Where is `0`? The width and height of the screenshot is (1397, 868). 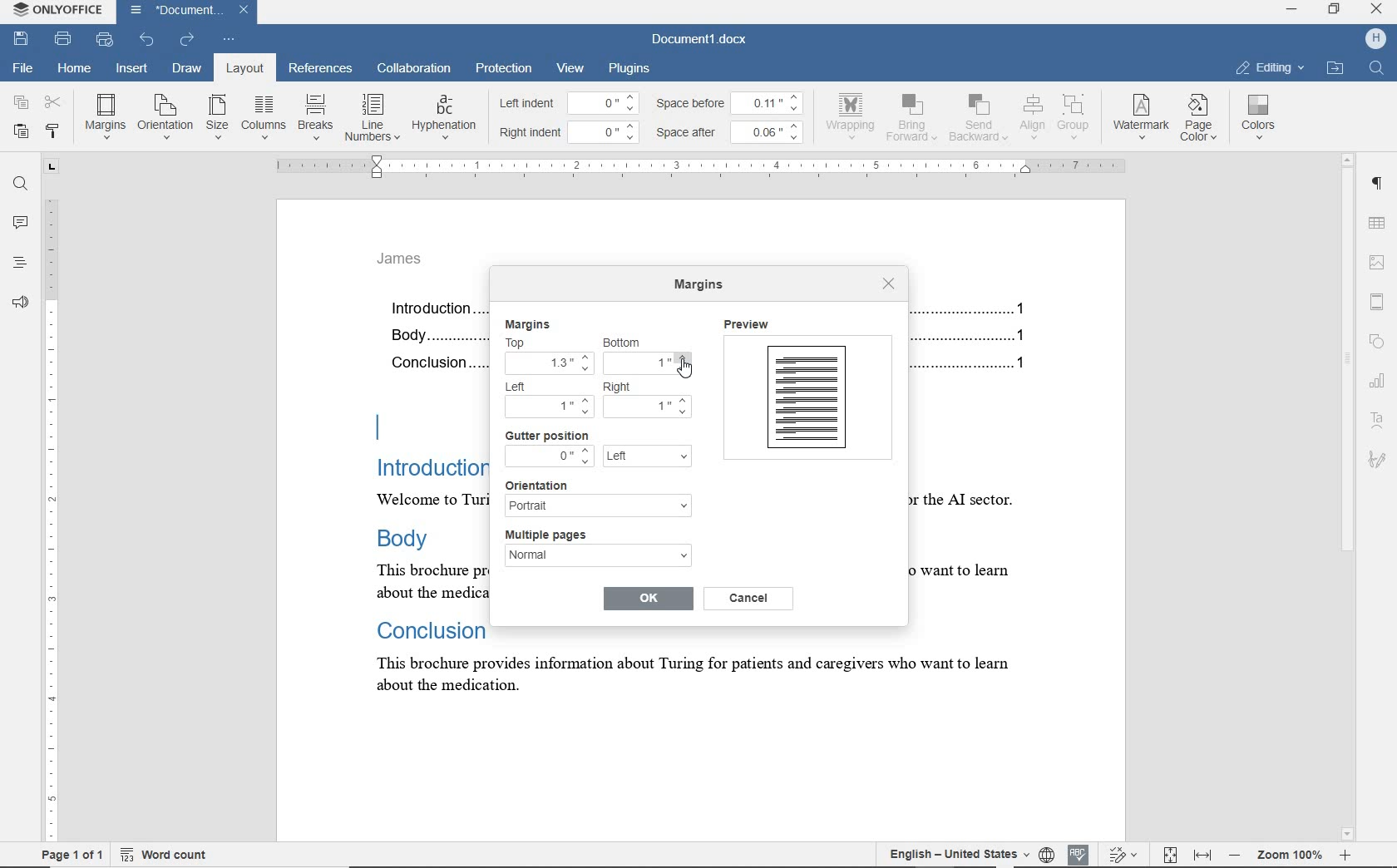 0 is located at coordinates (605, 102).